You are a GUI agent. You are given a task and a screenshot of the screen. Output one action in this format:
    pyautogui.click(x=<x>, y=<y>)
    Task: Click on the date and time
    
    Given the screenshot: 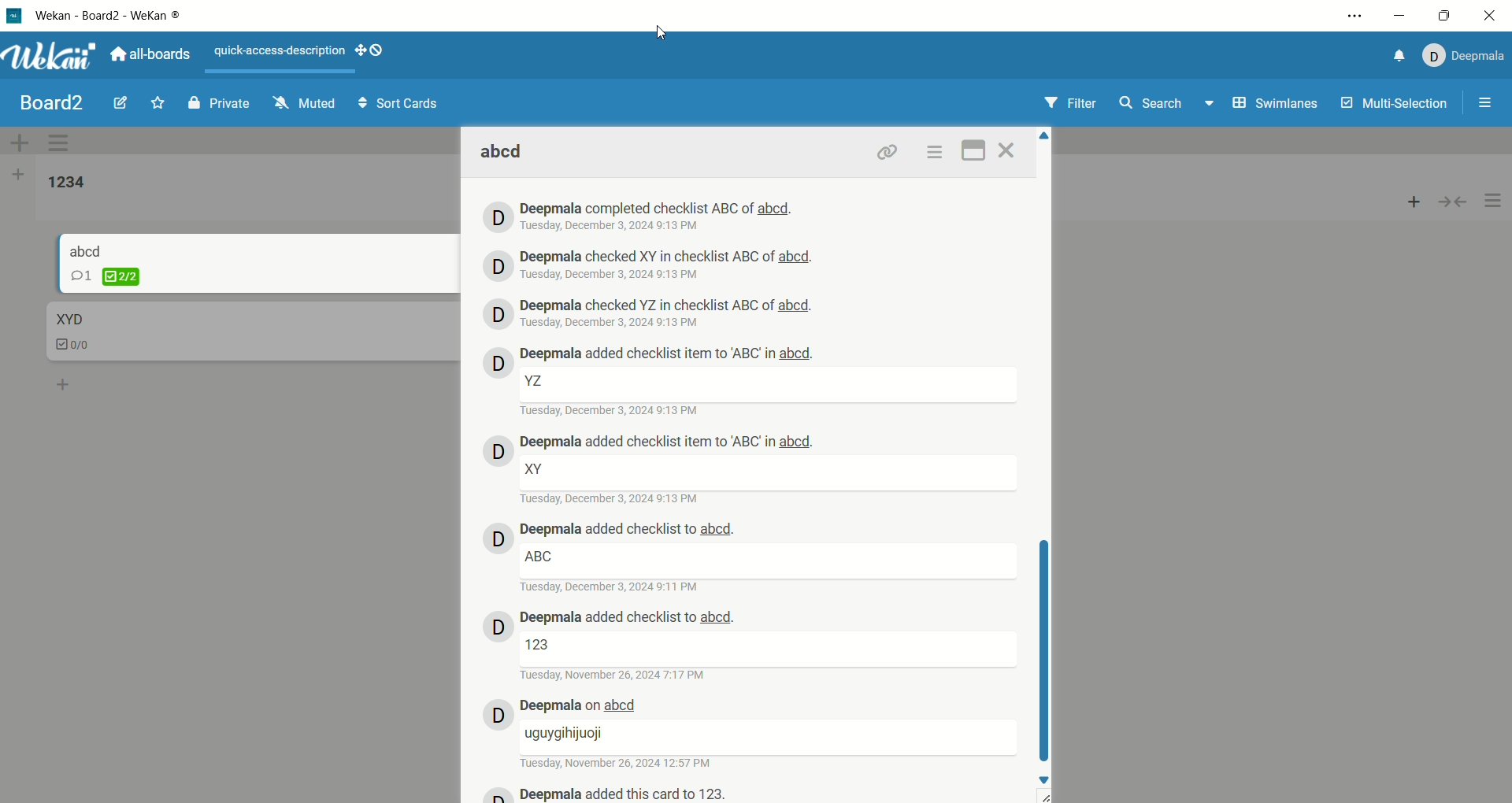 What is the action you would take?
    pyautogui.click(x=619, y=763)
    